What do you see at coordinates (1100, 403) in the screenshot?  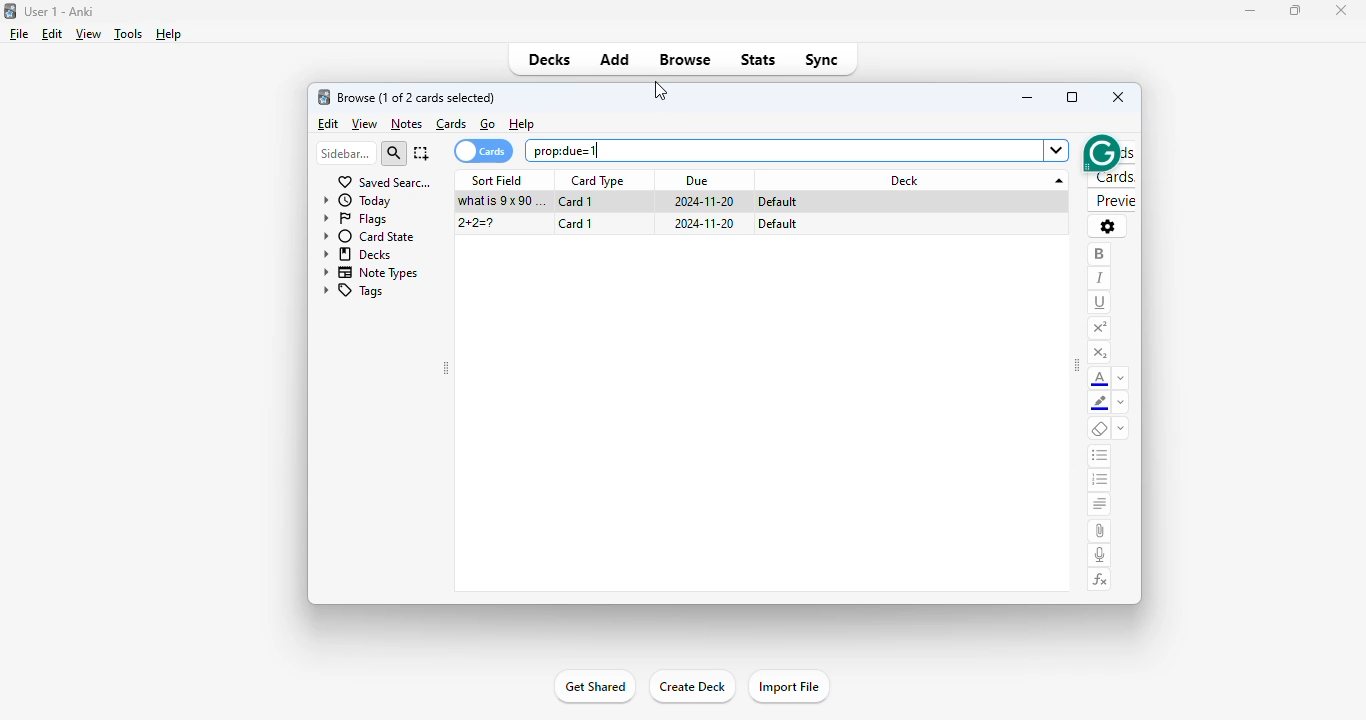 I see `text highlighting color` at bounding box center [1100, 403].